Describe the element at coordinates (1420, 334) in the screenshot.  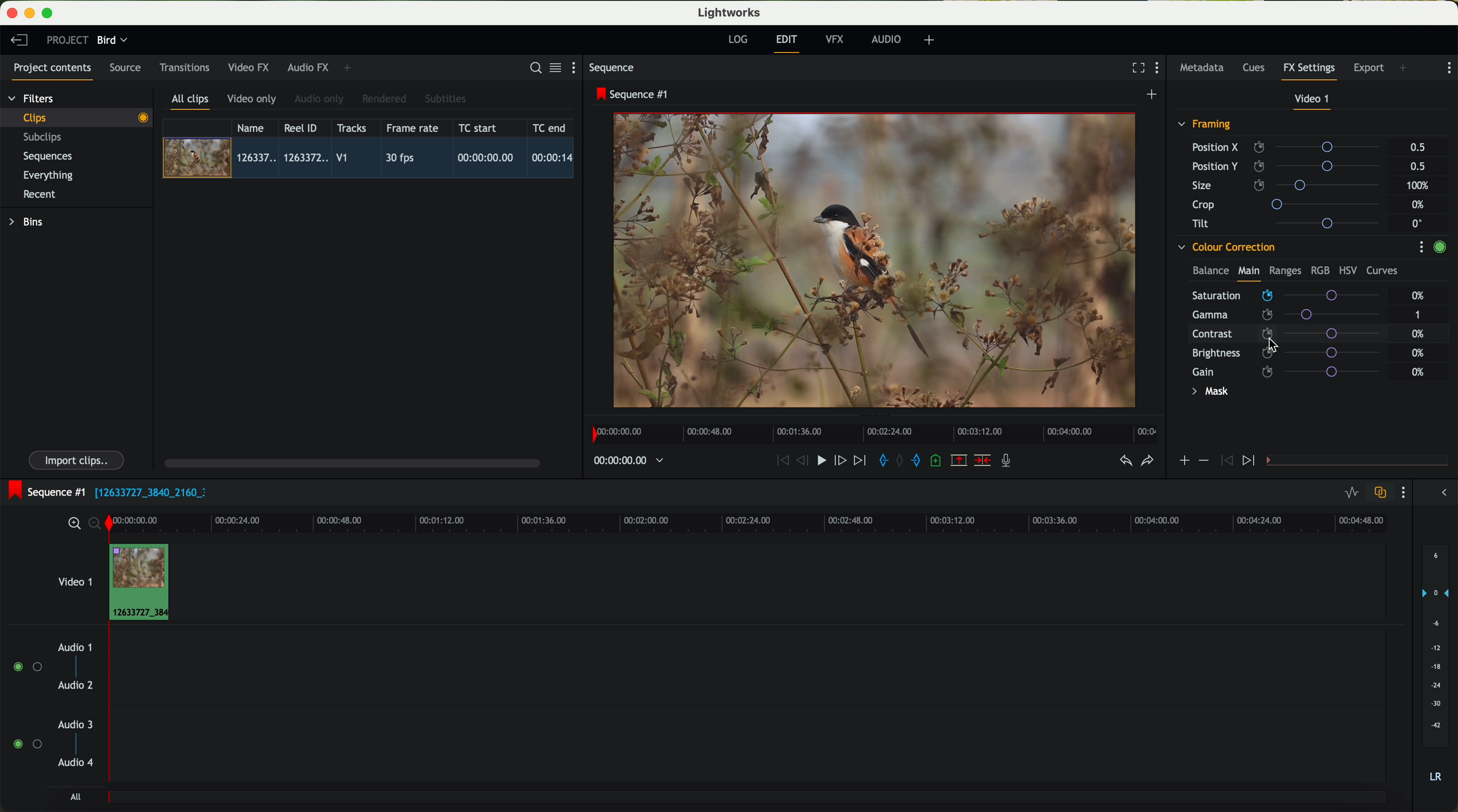
I see `0%` at that location.